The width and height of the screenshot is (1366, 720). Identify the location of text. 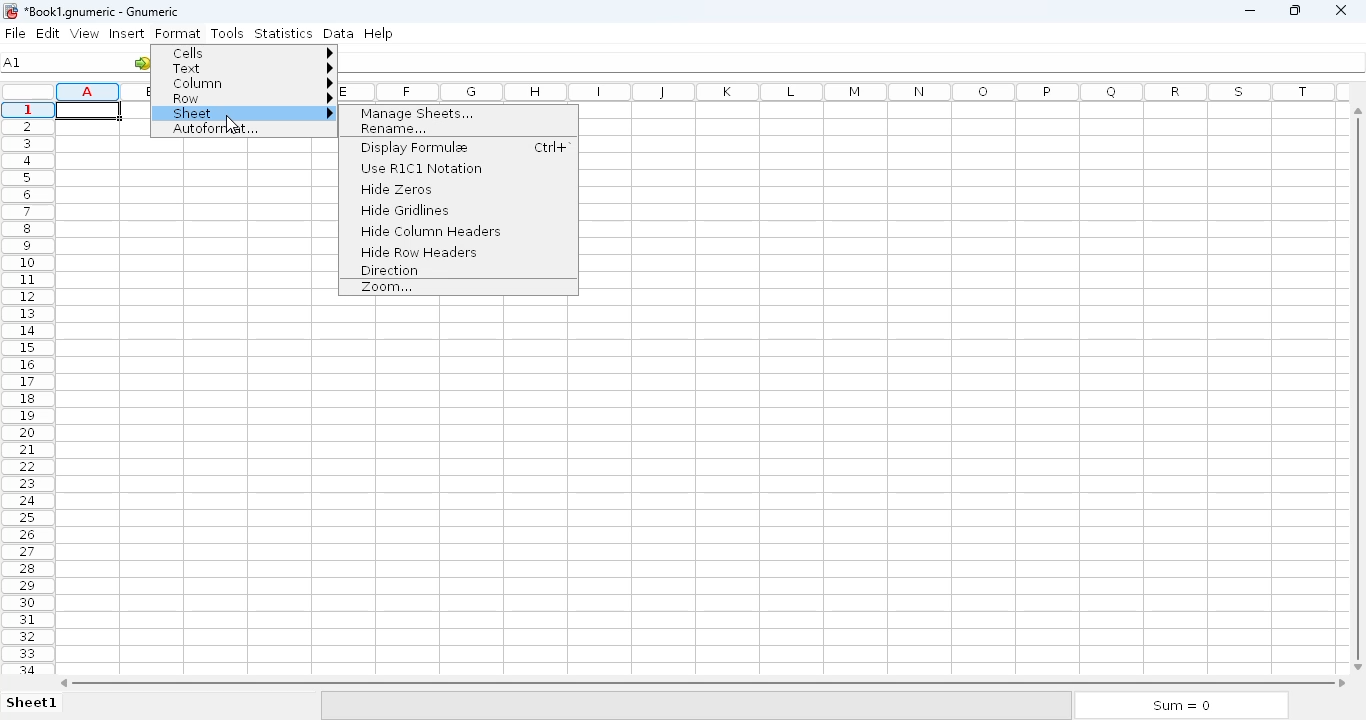
(248, 68).